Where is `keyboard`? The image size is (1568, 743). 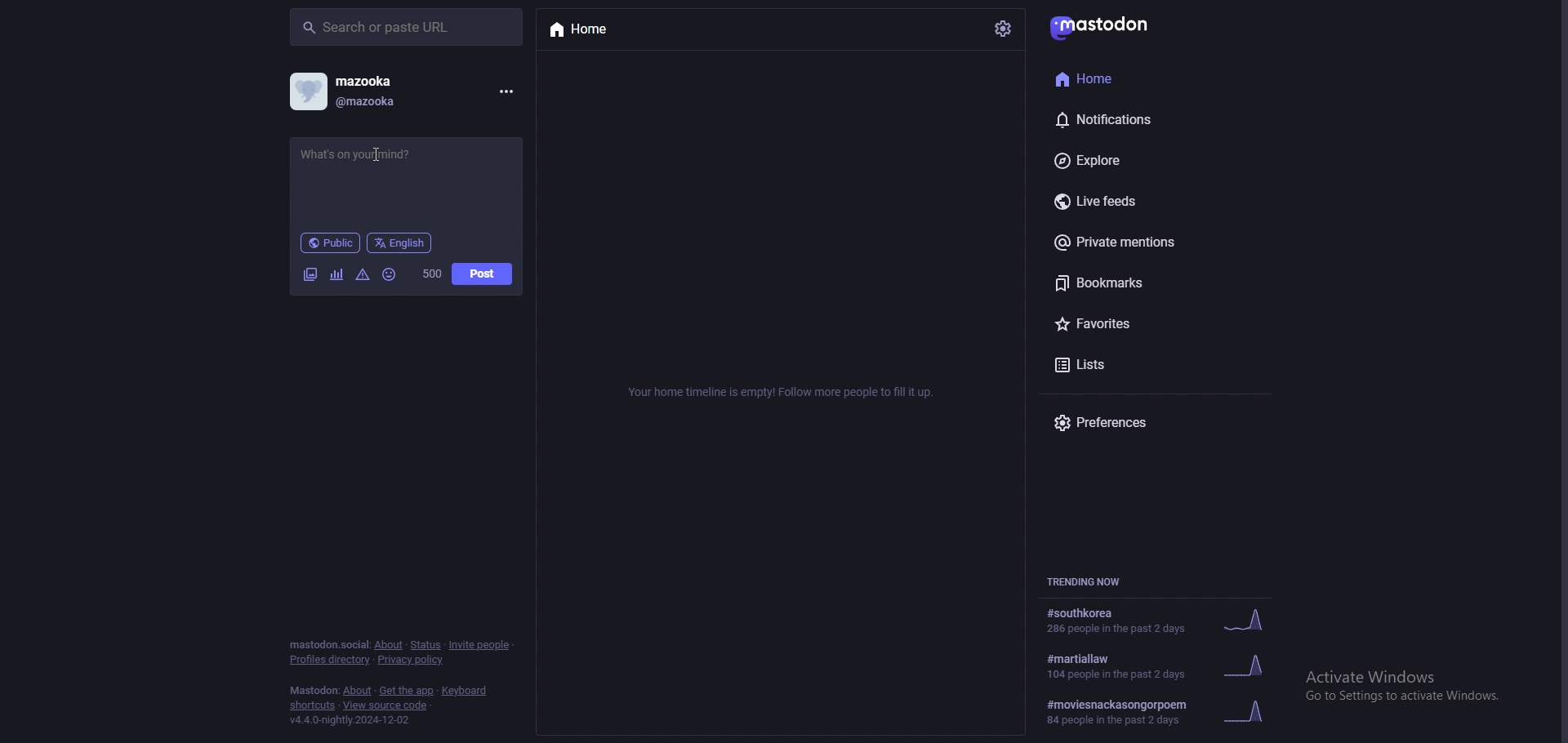 keyboard is located at coordinates (463, 691).